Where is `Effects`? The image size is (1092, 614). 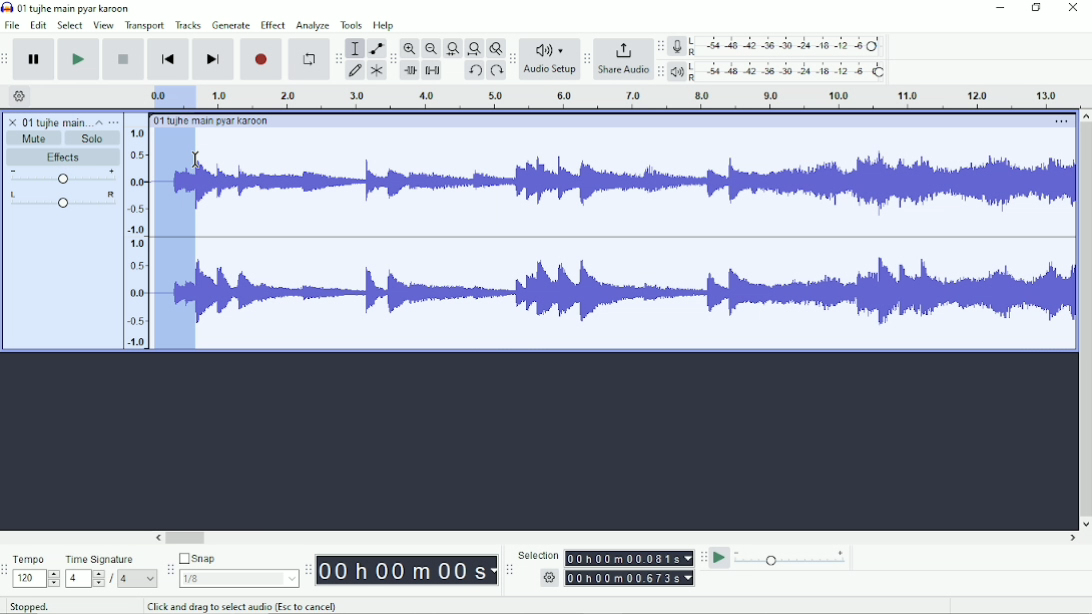
Effects is located at coordinates (63, 158).